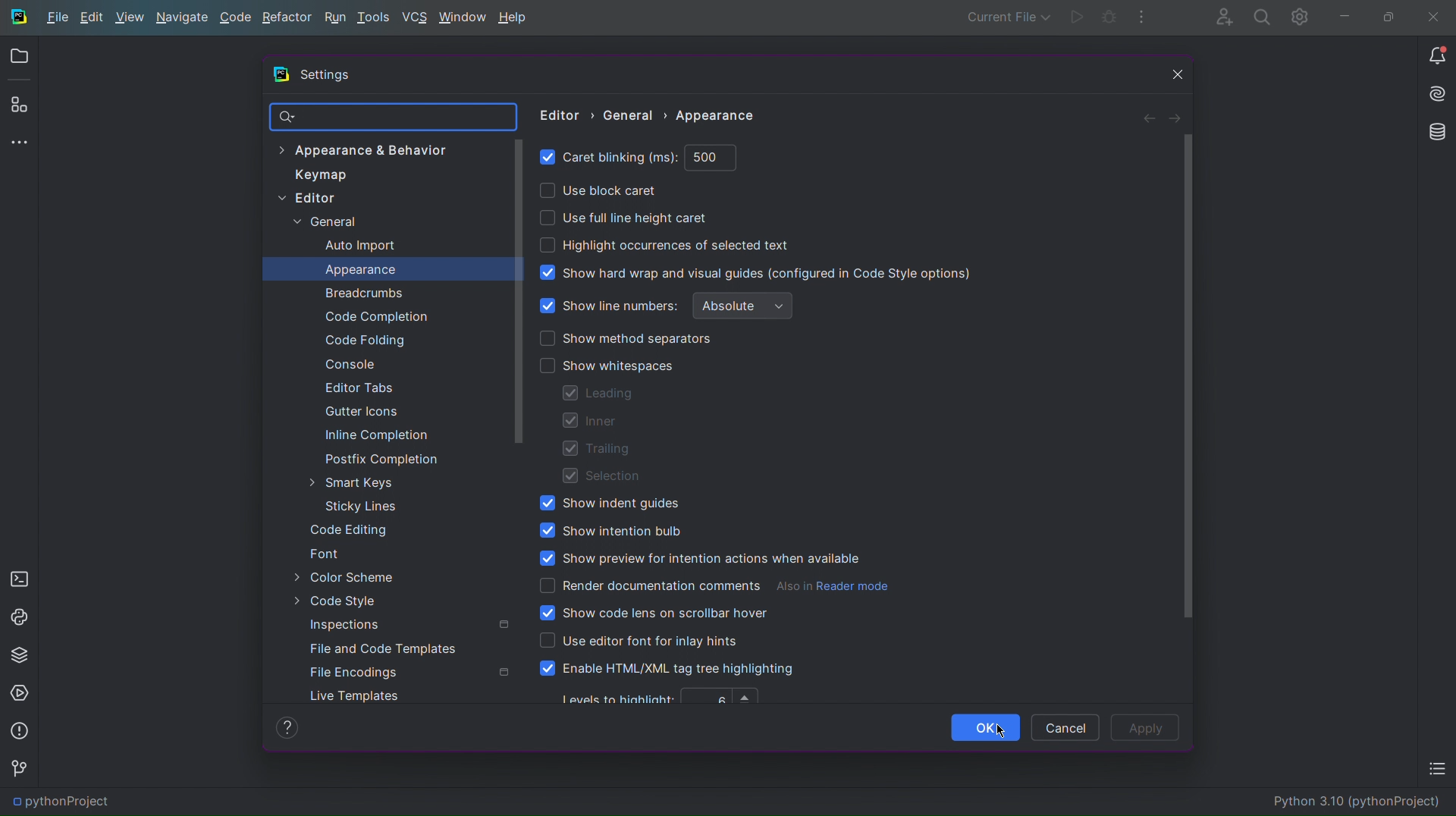 This screenshot has width=1456, height=816. I want to click on Code Editing, so click(352, 530).